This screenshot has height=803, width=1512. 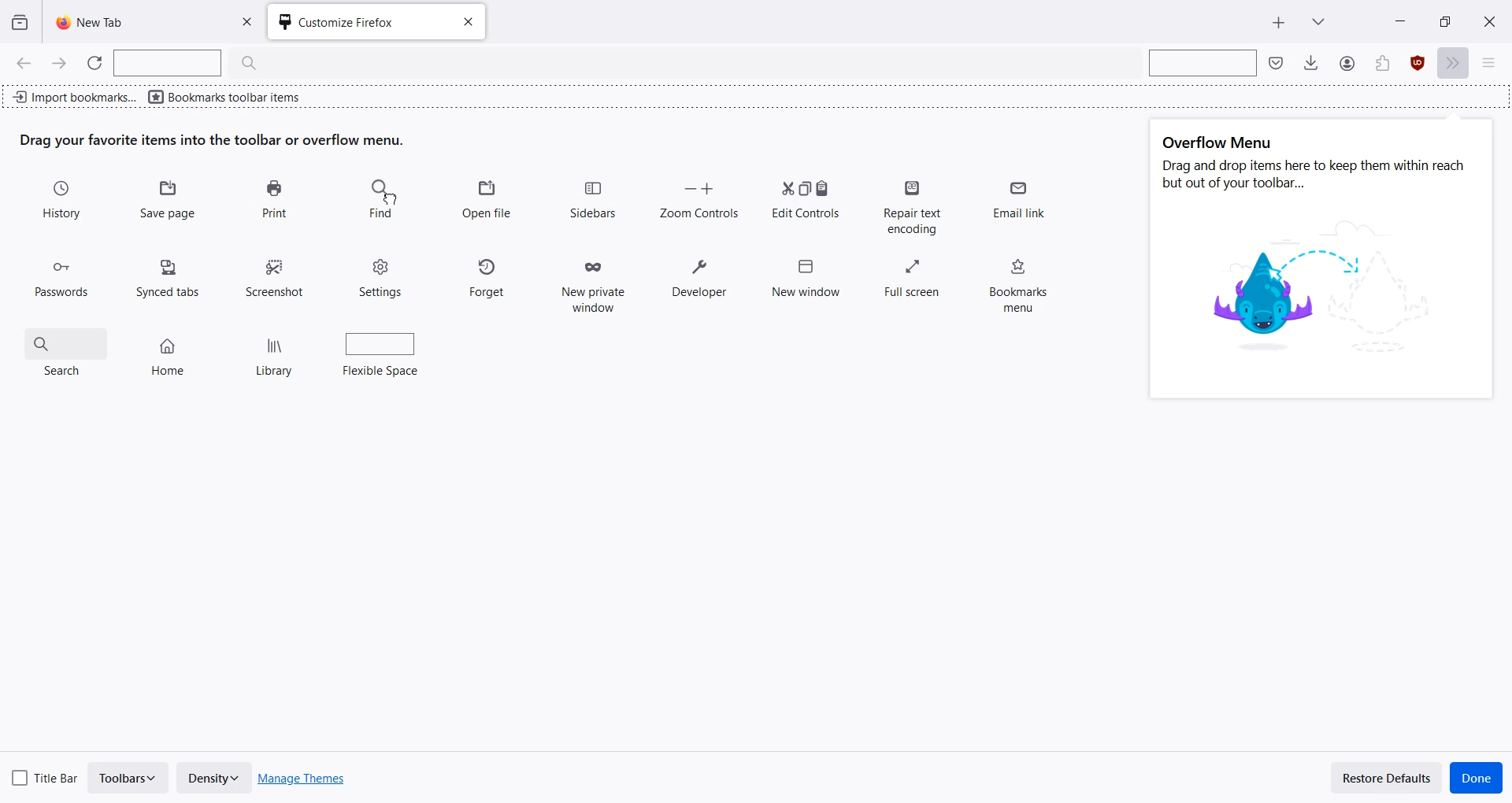 What do you see at coordinates (213, 778) in the screenshot?
I see `Density` at bounding box center [213, 778].